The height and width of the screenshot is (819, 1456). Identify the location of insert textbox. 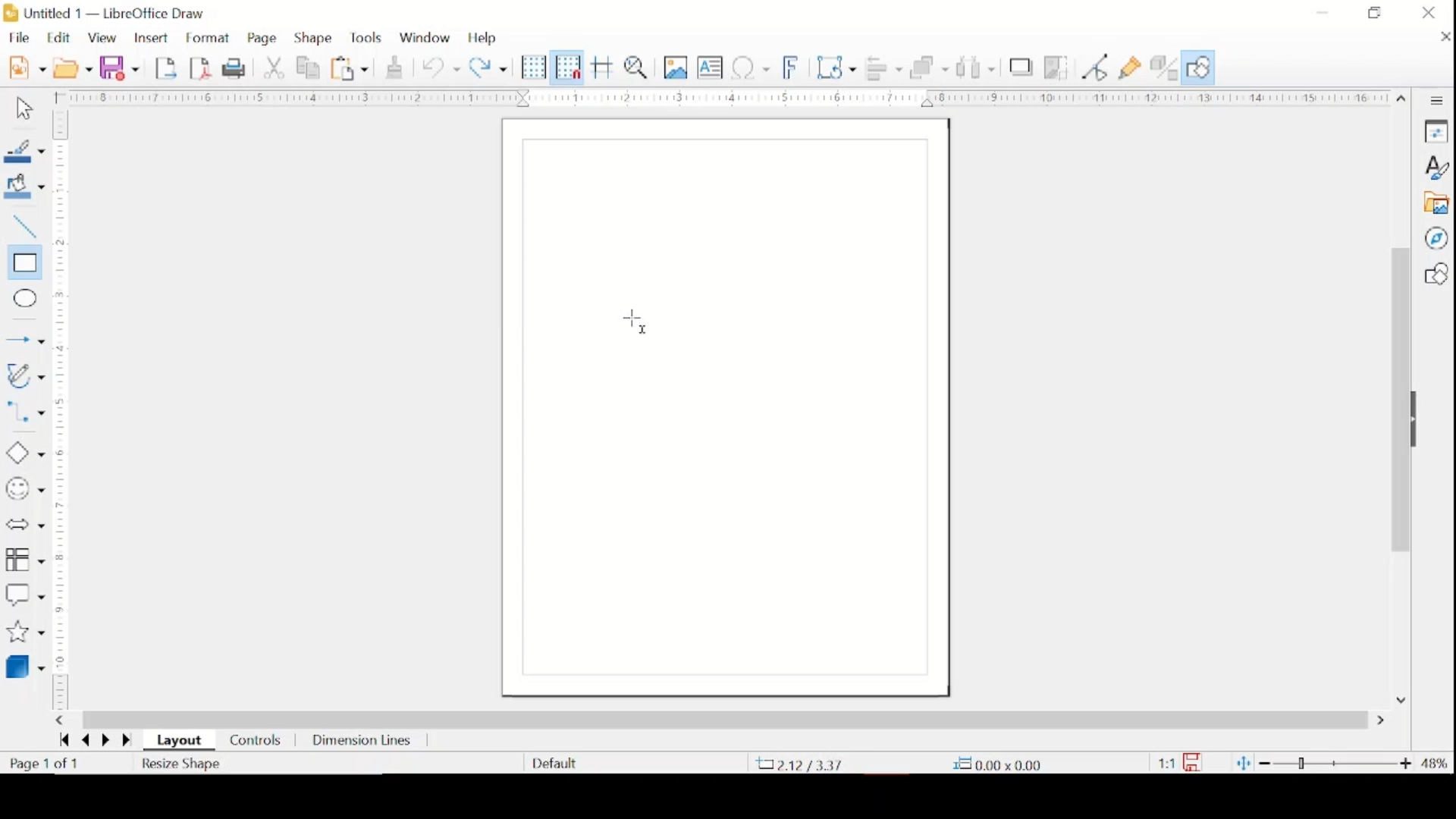
(710, 67).